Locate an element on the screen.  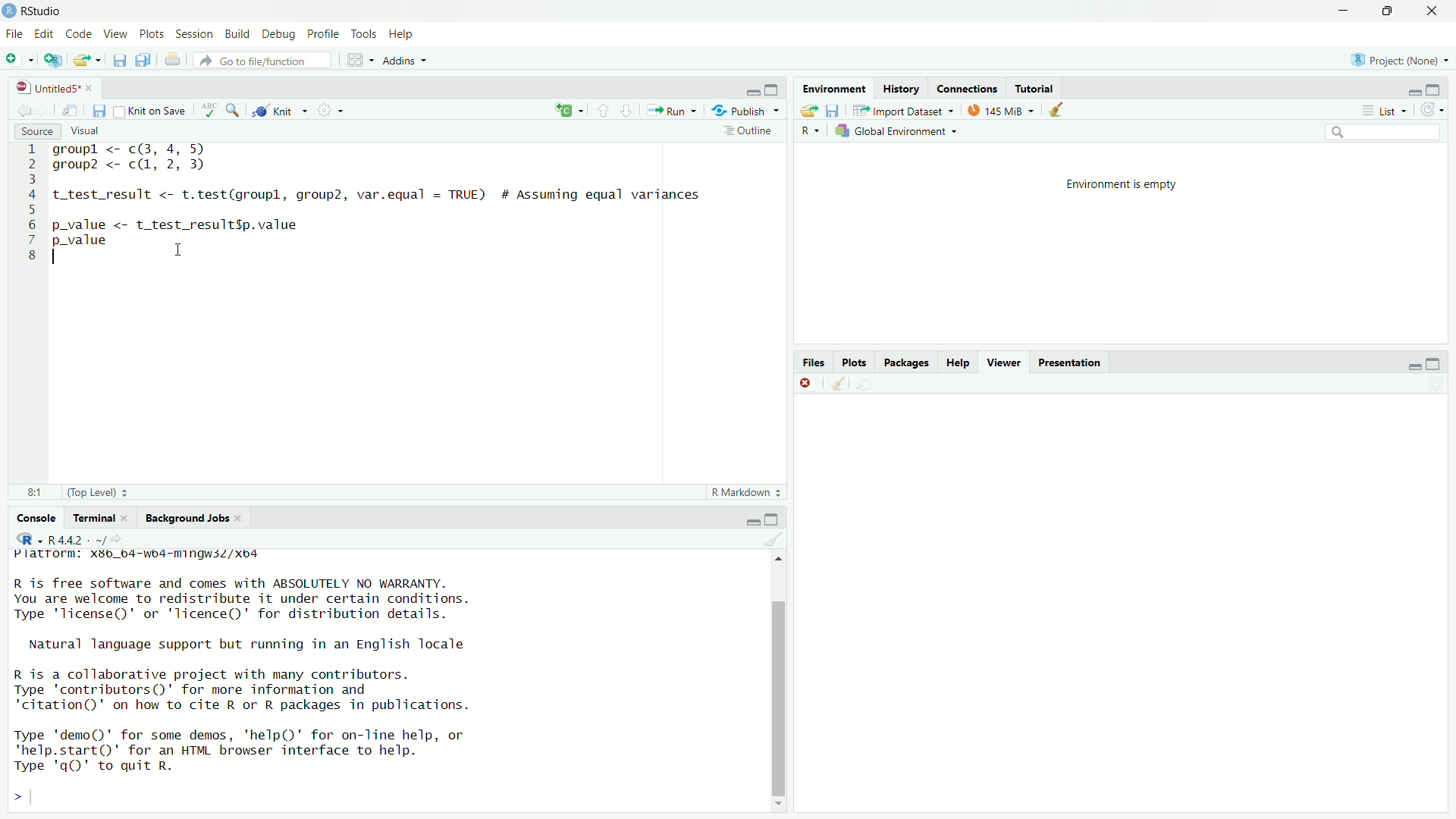
minimise is located at coordinates (1414, 365).